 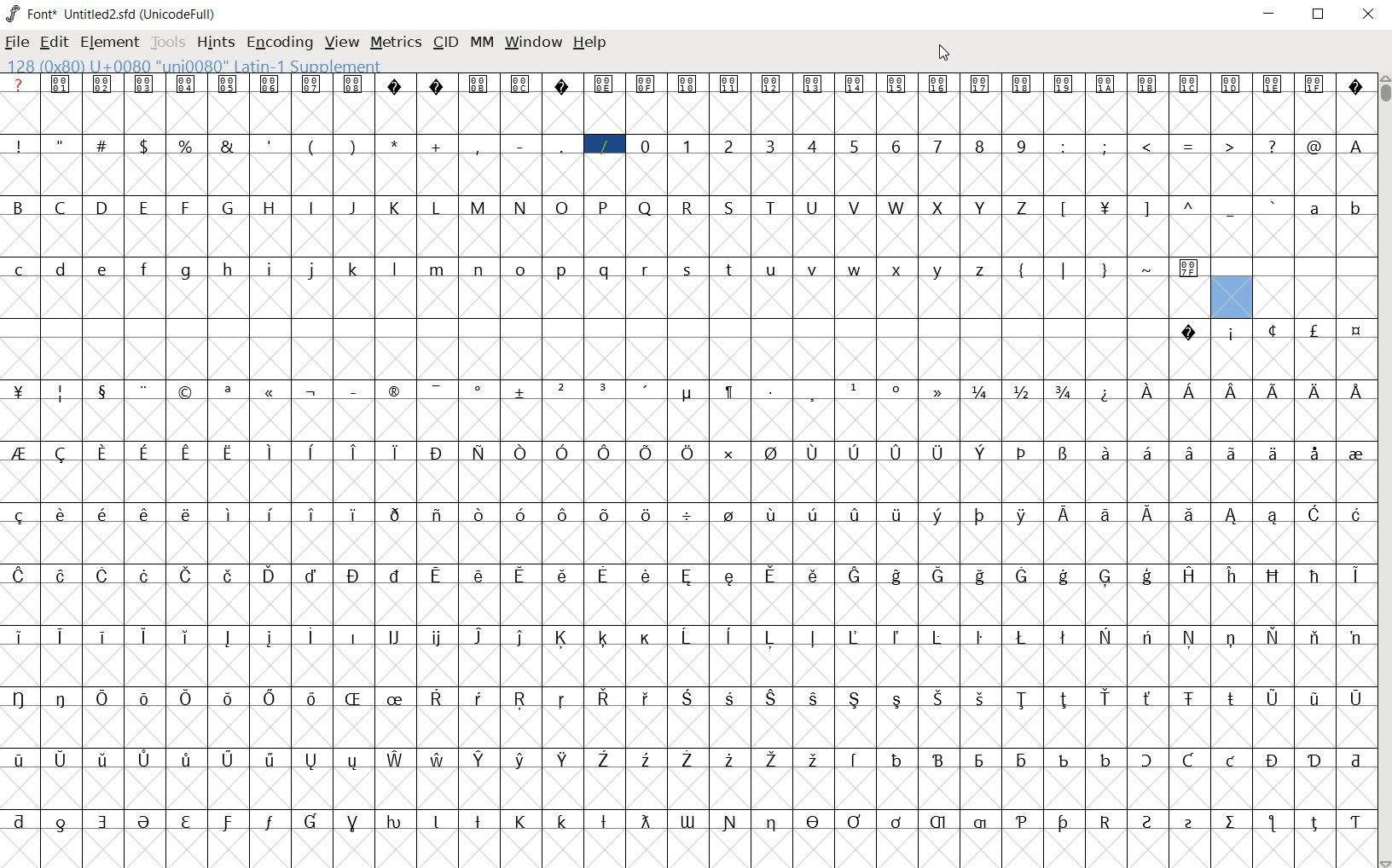 I want to click on glyph, so click(x=354, y=452).